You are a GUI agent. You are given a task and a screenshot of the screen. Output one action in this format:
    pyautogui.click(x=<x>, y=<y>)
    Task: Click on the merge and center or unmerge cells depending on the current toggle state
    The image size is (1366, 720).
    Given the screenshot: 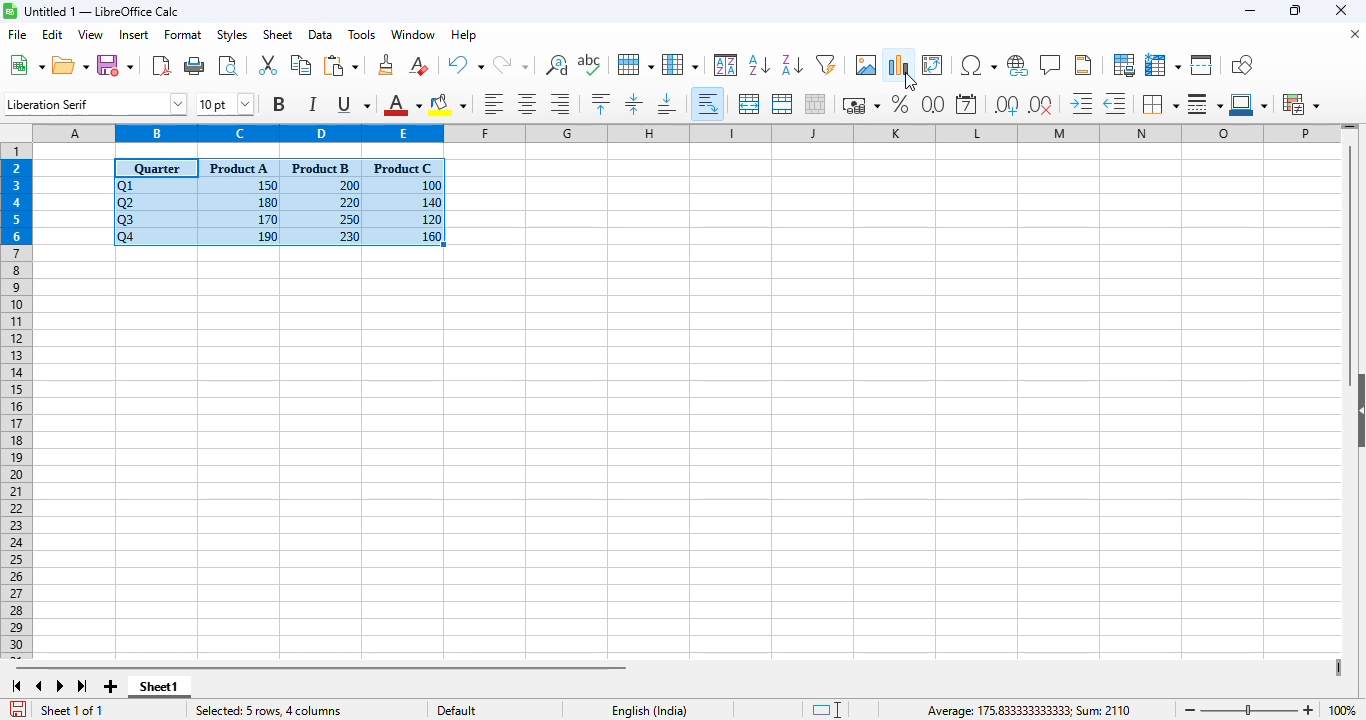 What is the action you would take?
    pyautogui.click(x=750, y=104)
    